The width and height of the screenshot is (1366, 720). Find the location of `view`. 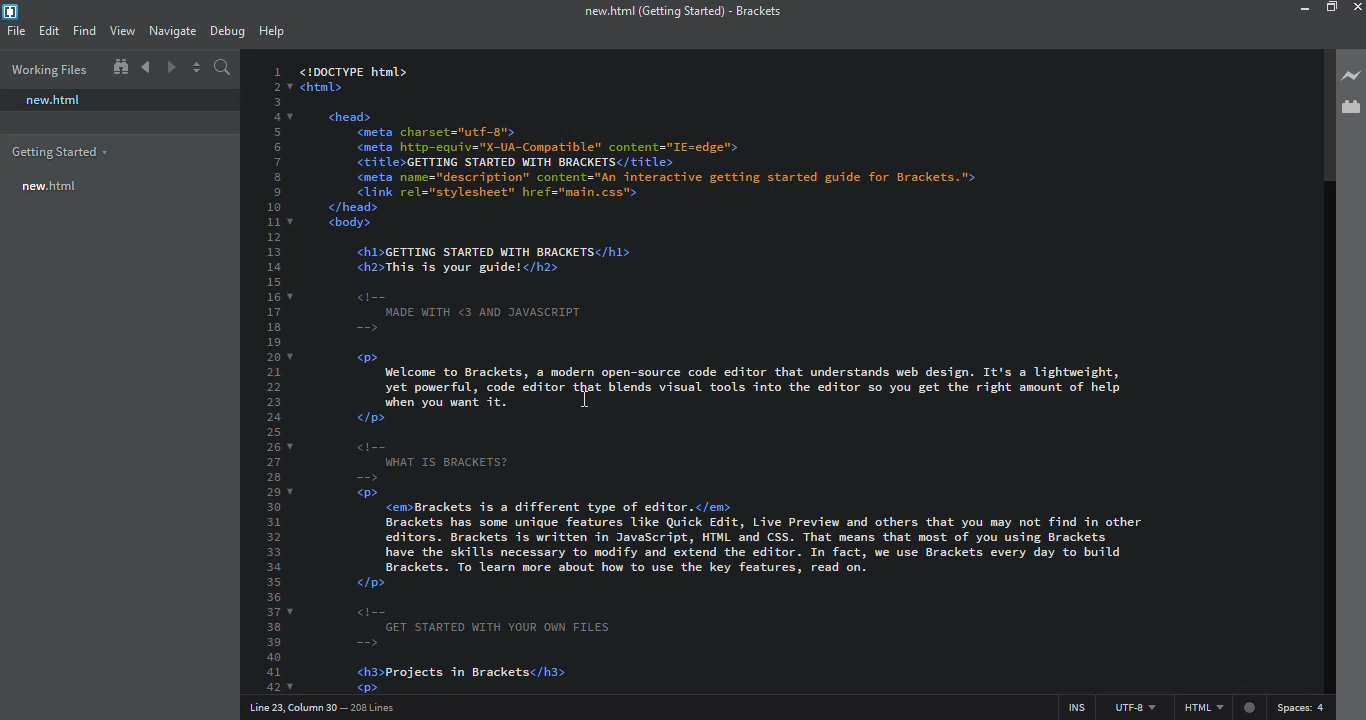

view is located at coordinates (125, 30).